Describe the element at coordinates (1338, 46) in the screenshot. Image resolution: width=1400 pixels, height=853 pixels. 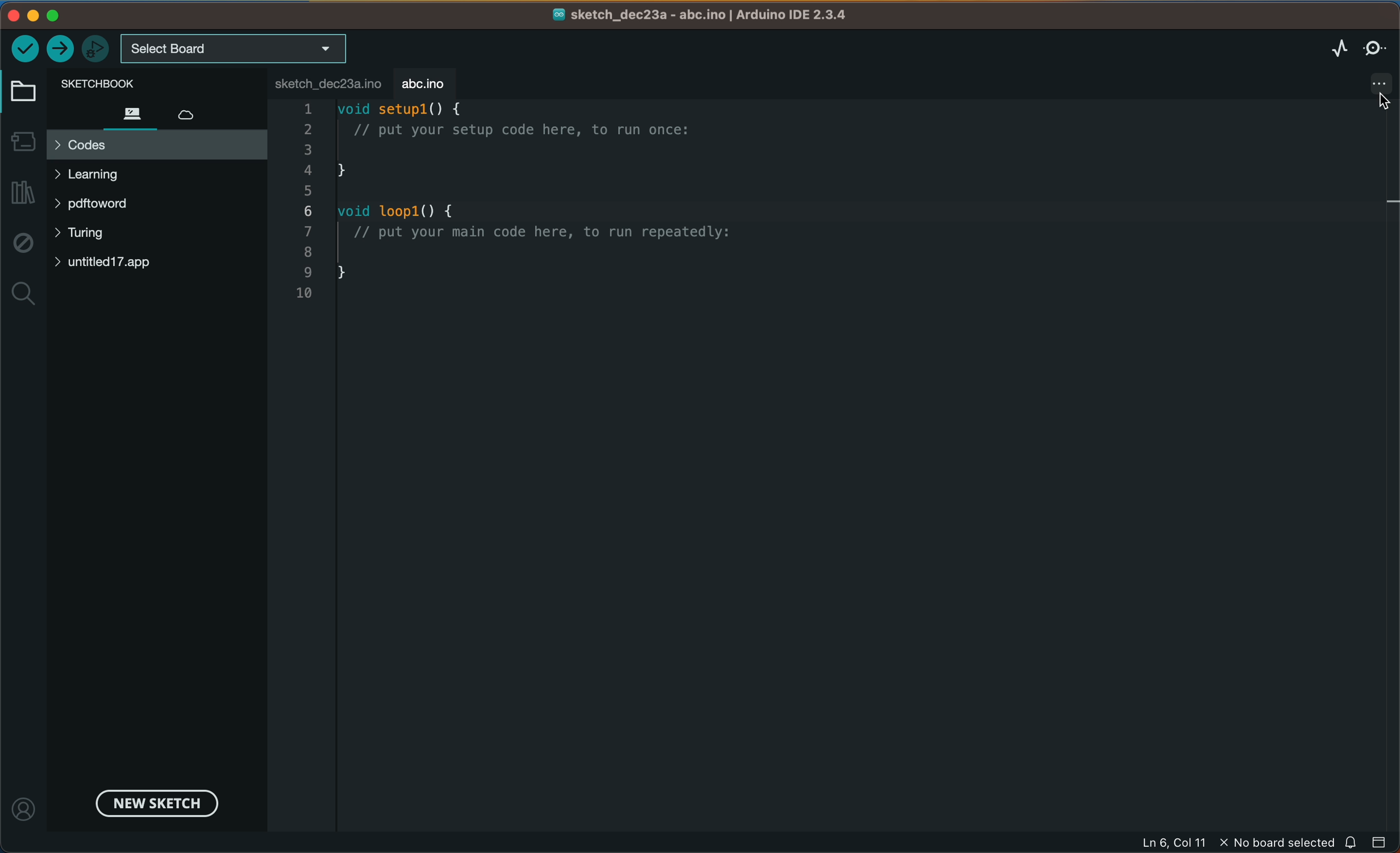
I see `serial plotter` at that location.